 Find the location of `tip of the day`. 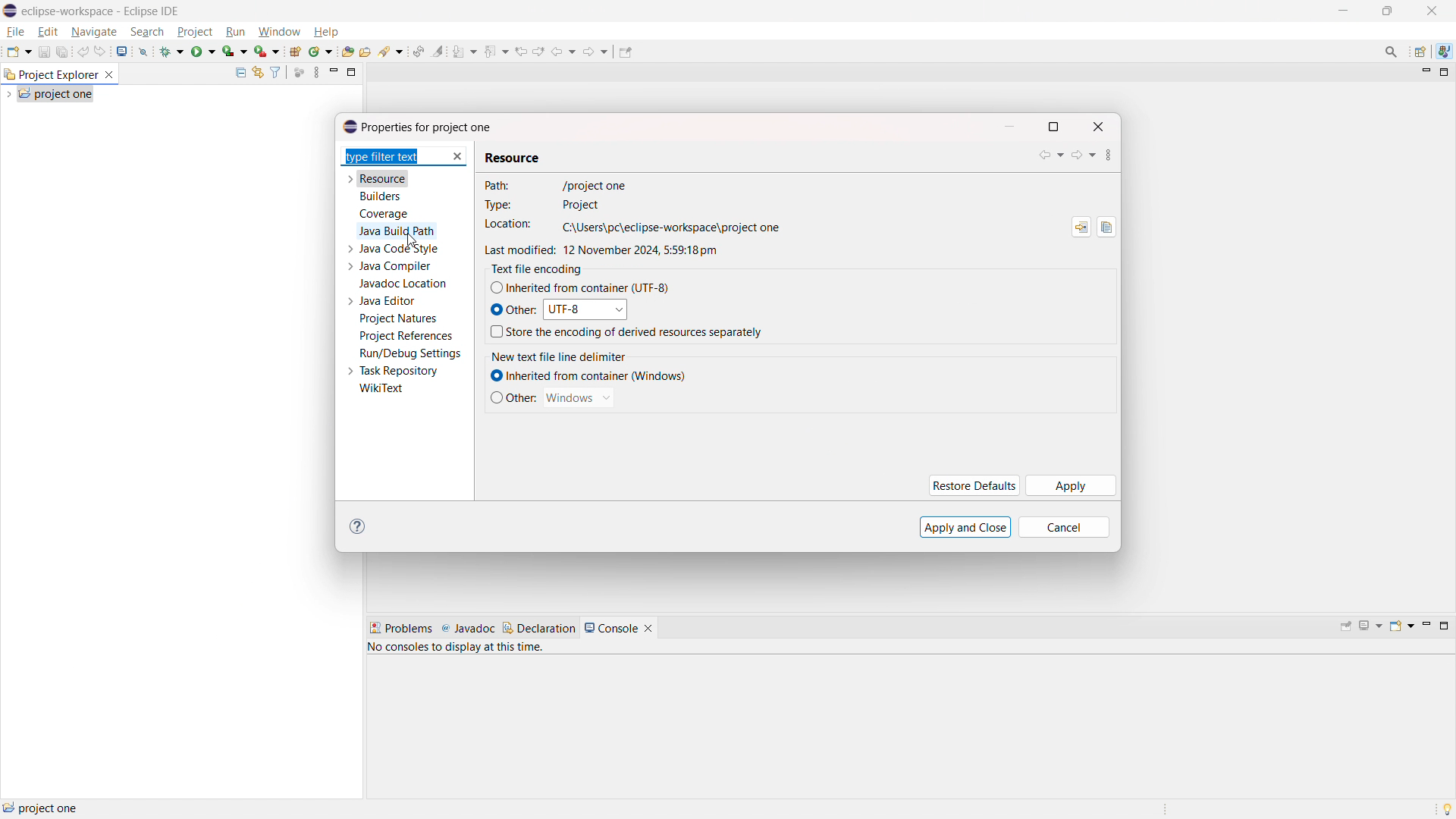

tip of the day is located at coordinates (1447, 808).